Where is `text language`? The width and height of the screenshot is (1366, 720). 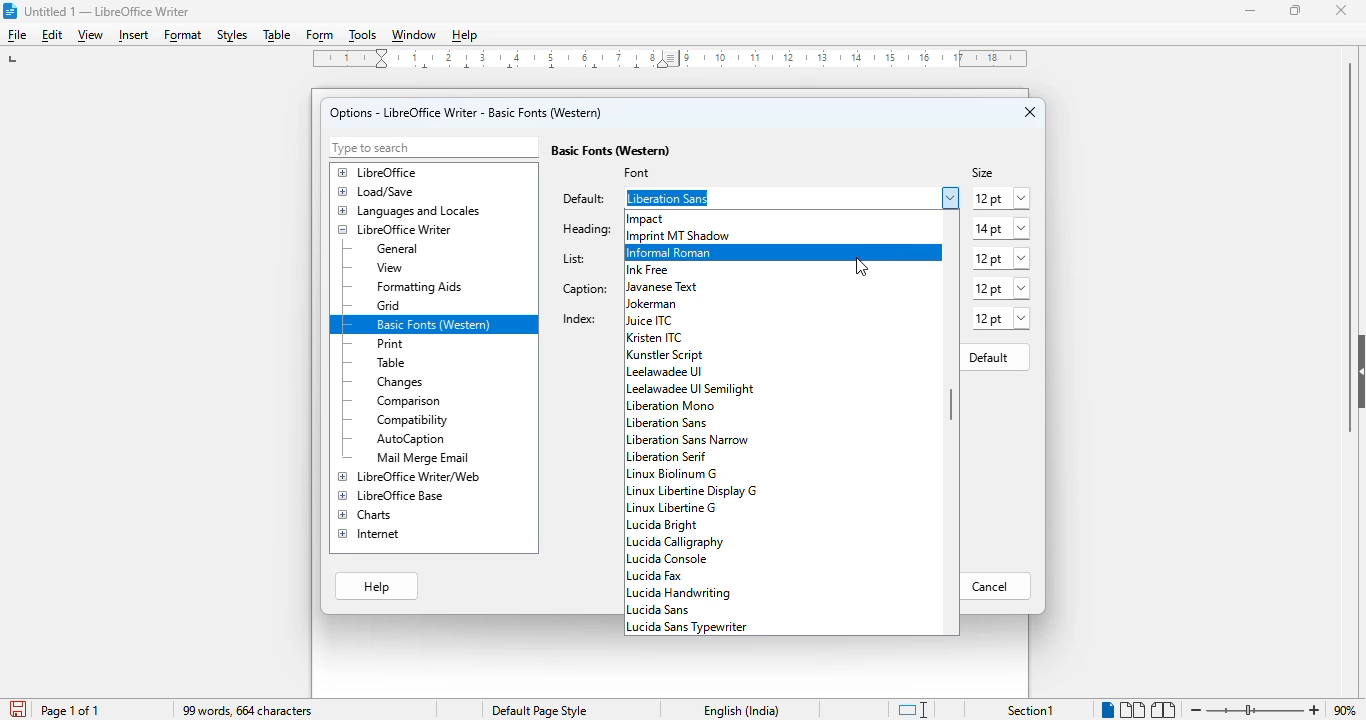
text language is located at coordinates (743, 710).